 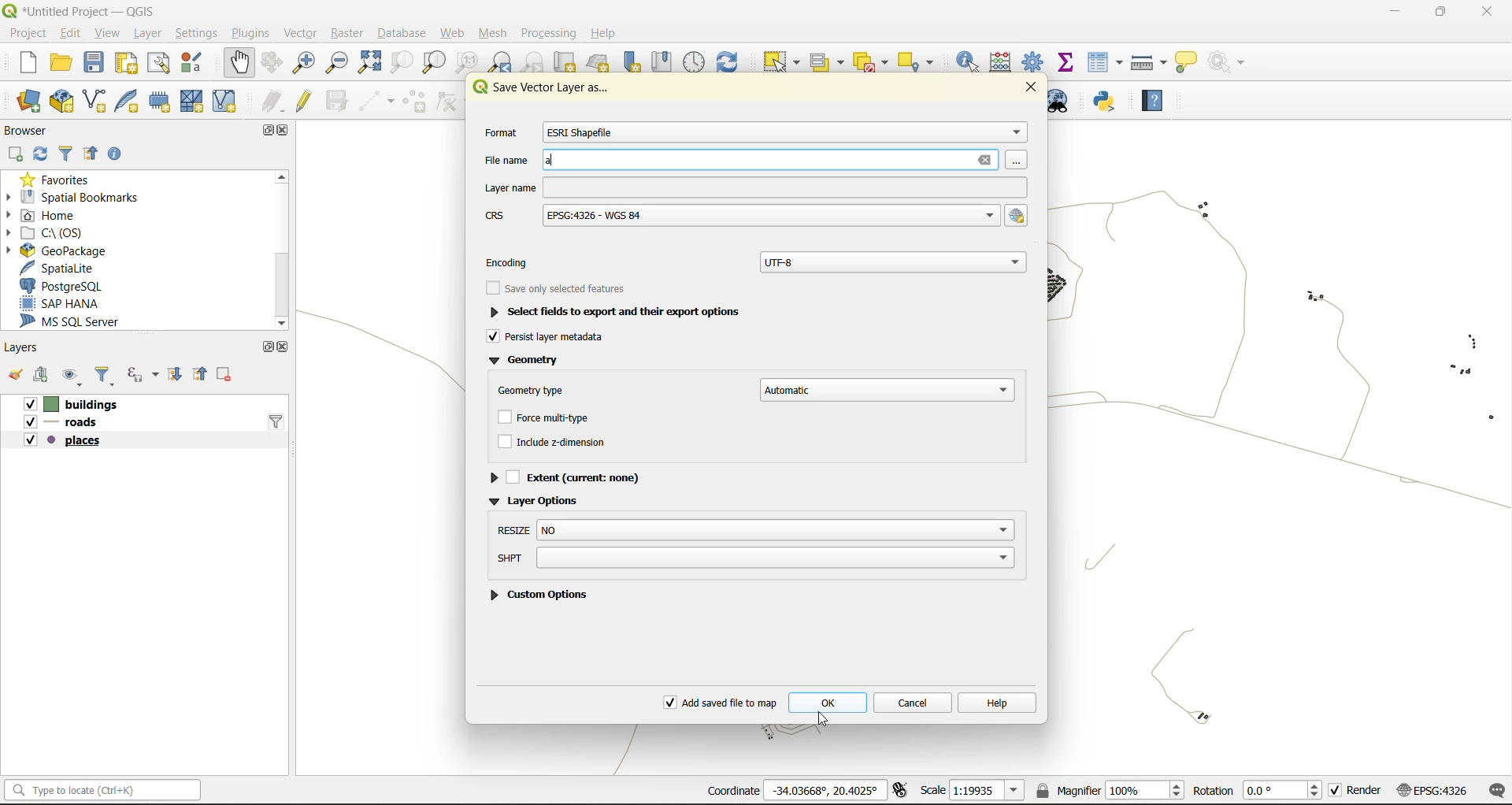 What do you see at coordinates (502, 61) in the screenshot?
I see `zoom last` at bounding box center [502, 61].